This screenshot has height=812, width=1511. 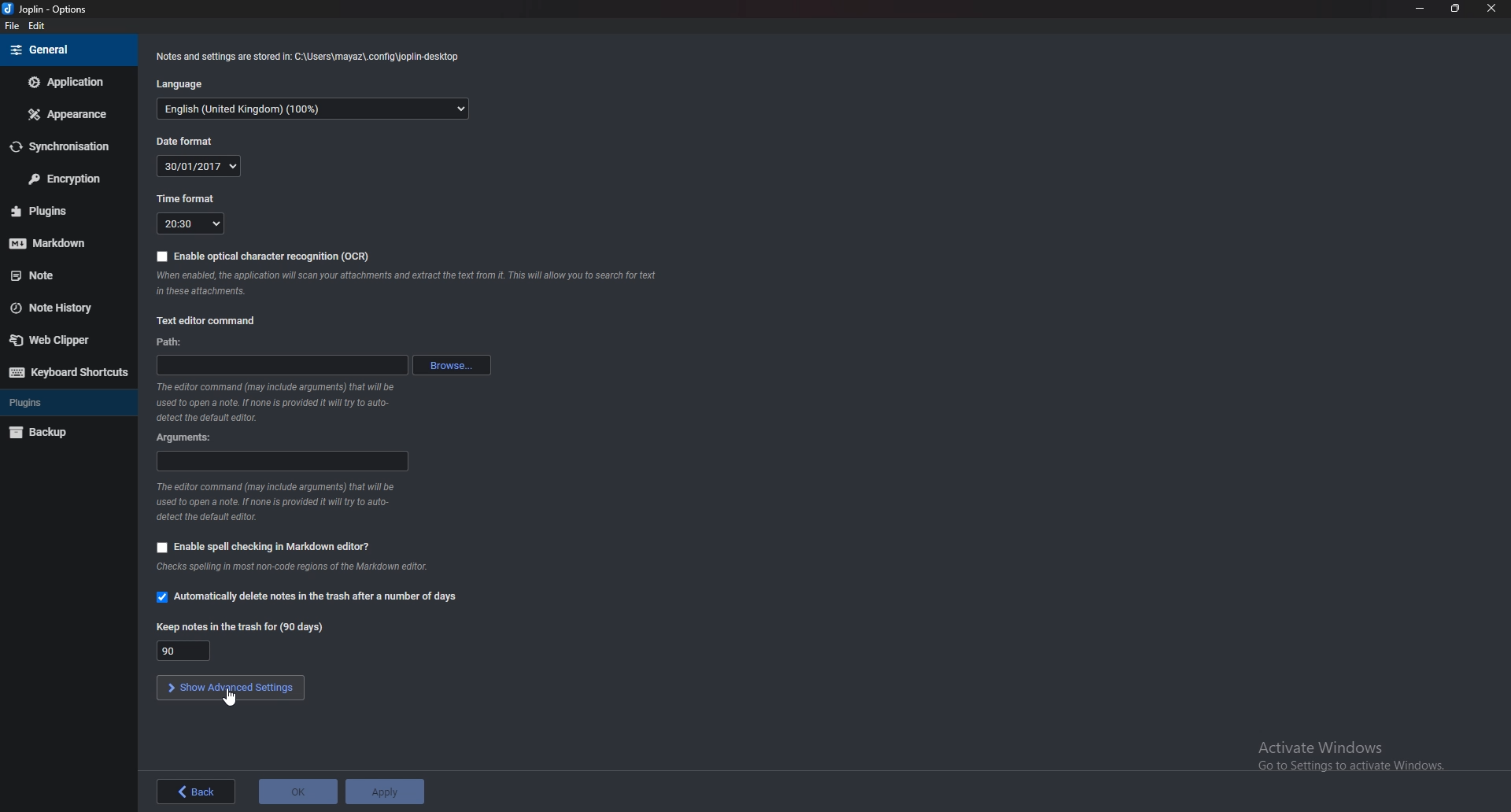 I want to click on Appearance, so click(x=68, y=114).